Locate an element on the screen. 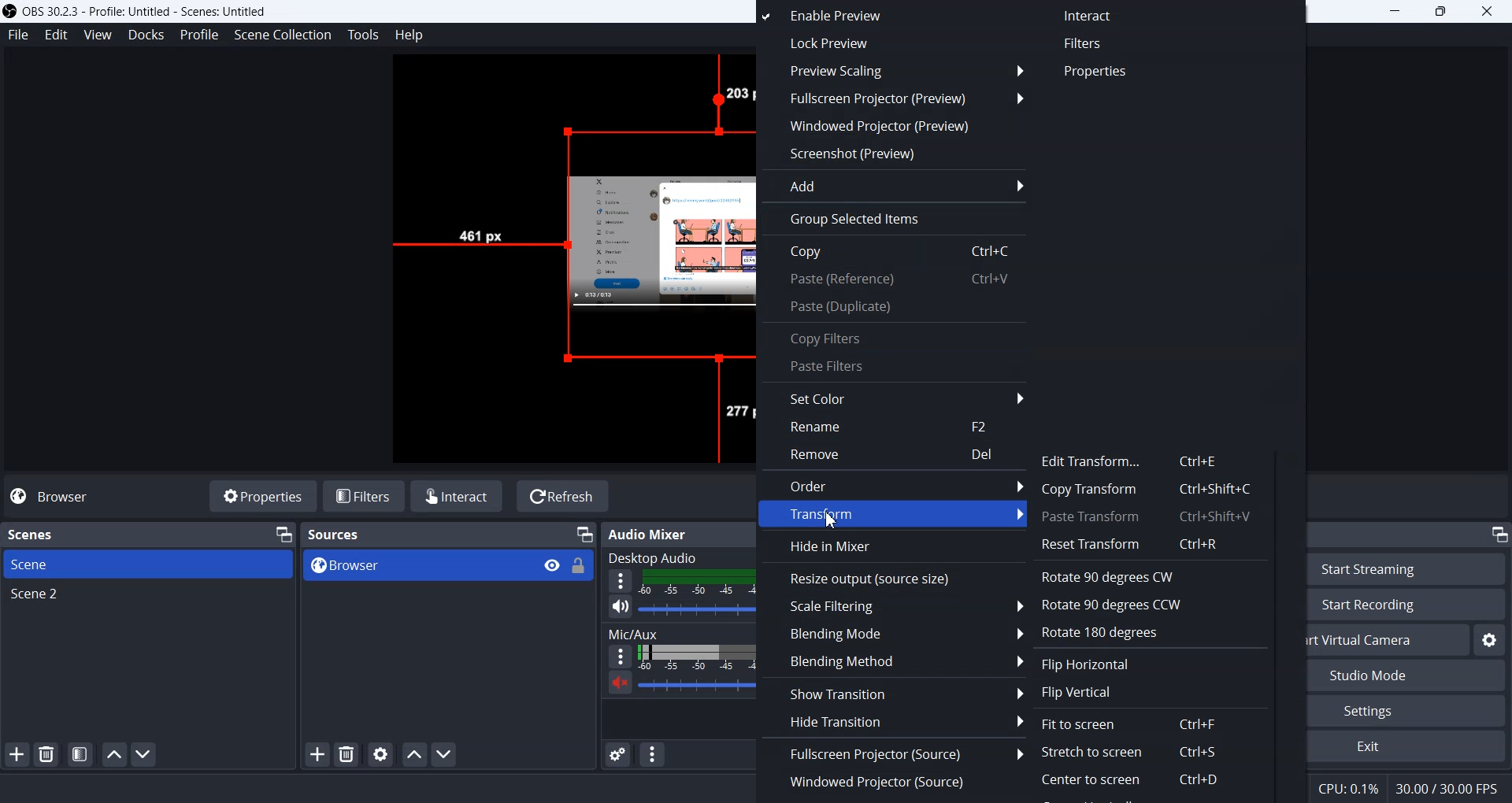 The height and width of the screenshot is (803, 1512). Add Sources is located at coordinates (316, 754).